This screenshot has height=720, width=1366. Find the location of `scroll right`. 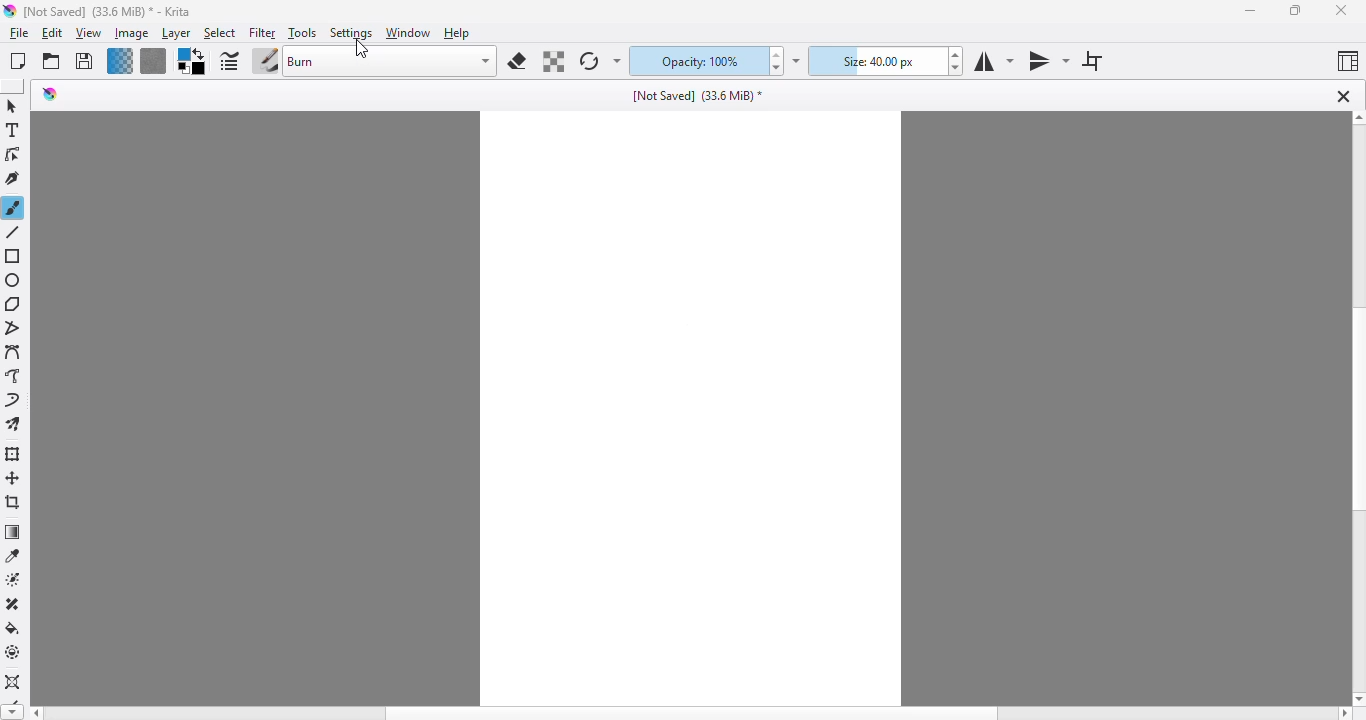

scroll right is located at coordinates (1343, 714).